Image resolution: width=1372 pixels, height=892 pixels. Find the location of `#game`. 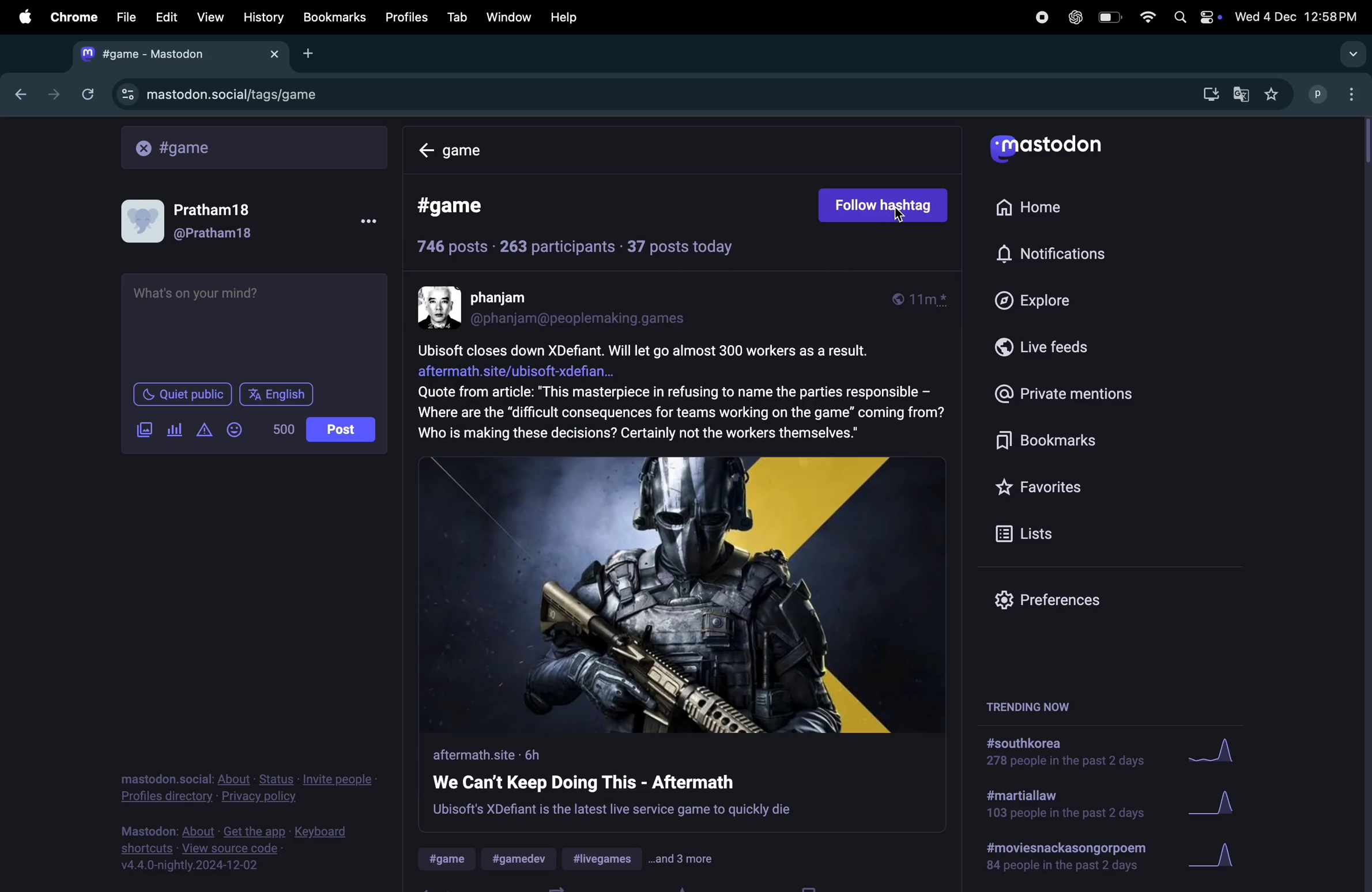

#game is located at coordinates (451, 859).